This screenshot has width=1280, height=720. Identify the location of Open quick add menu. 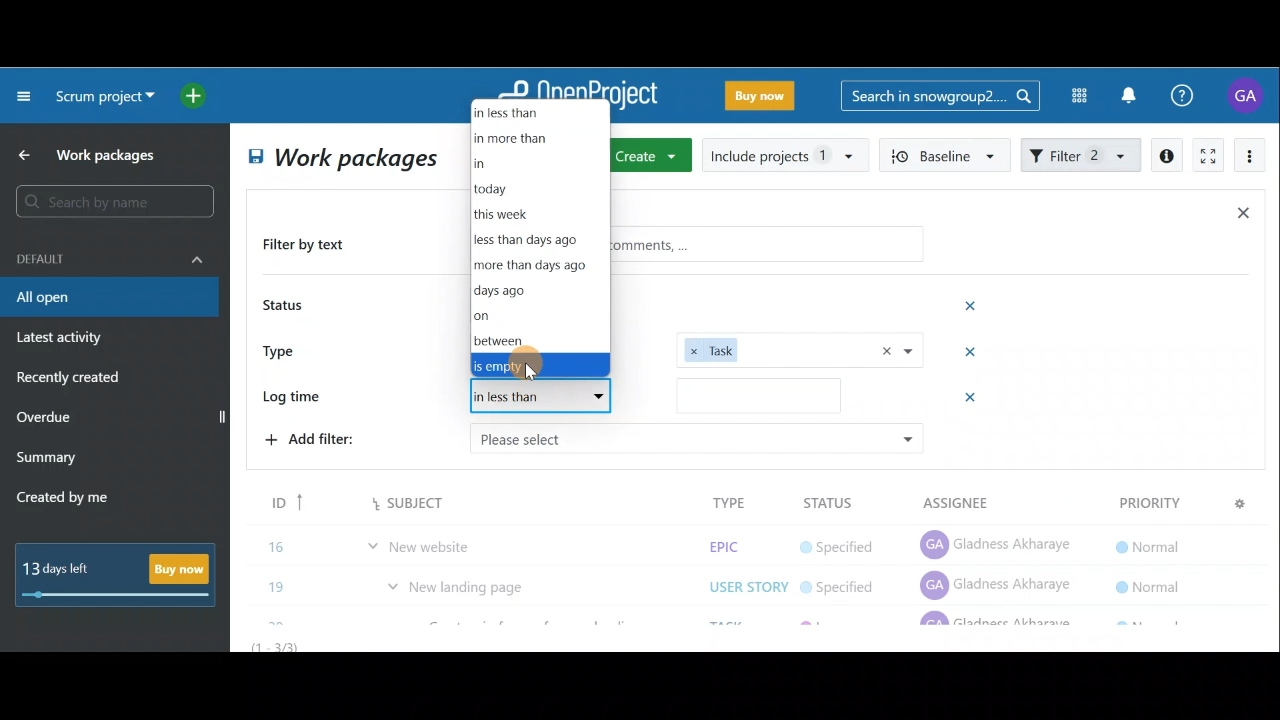
(197, 96).